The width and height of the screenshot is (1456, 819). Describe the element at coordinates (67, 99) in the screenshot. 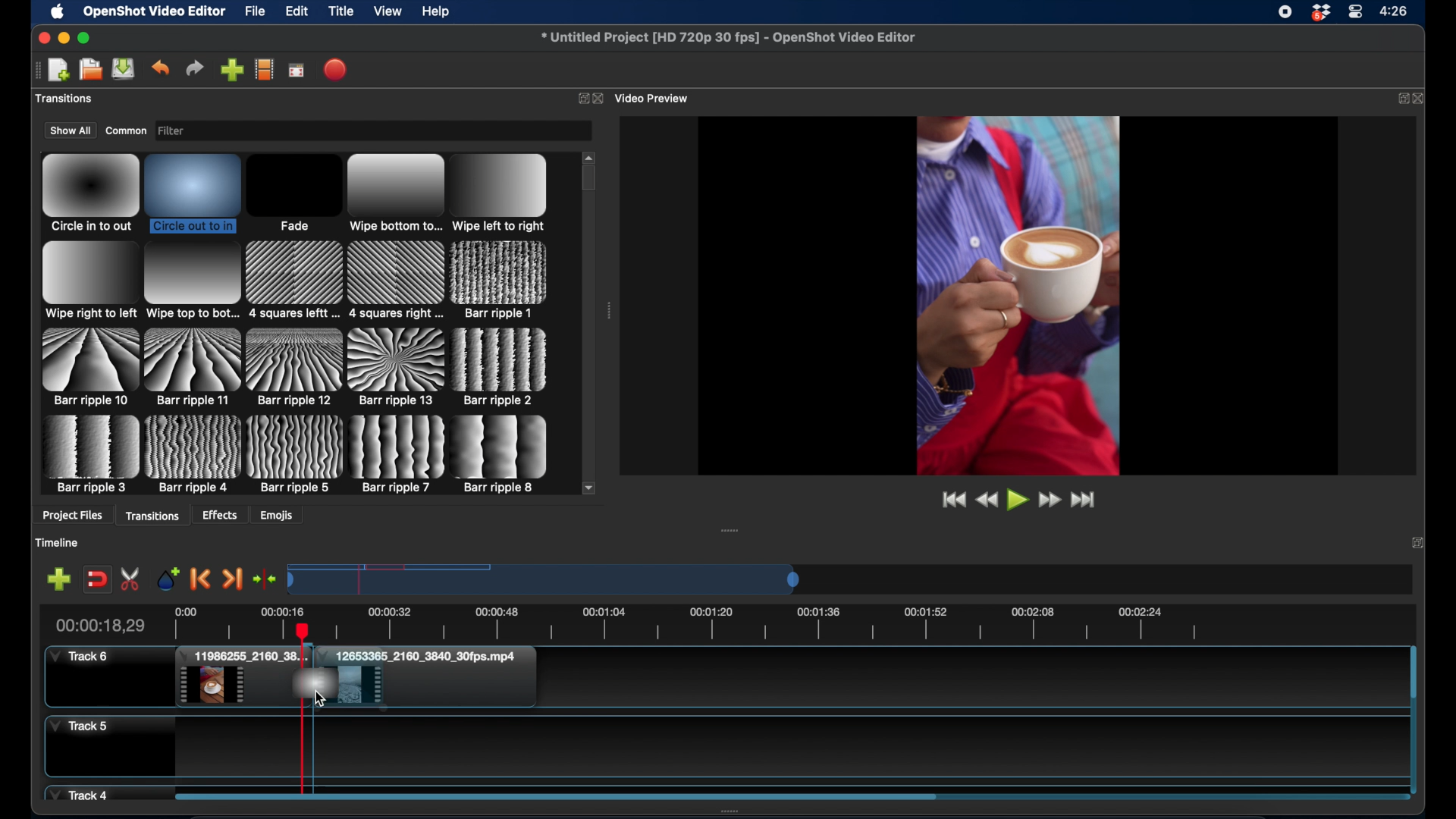

I see `project files` at that location.